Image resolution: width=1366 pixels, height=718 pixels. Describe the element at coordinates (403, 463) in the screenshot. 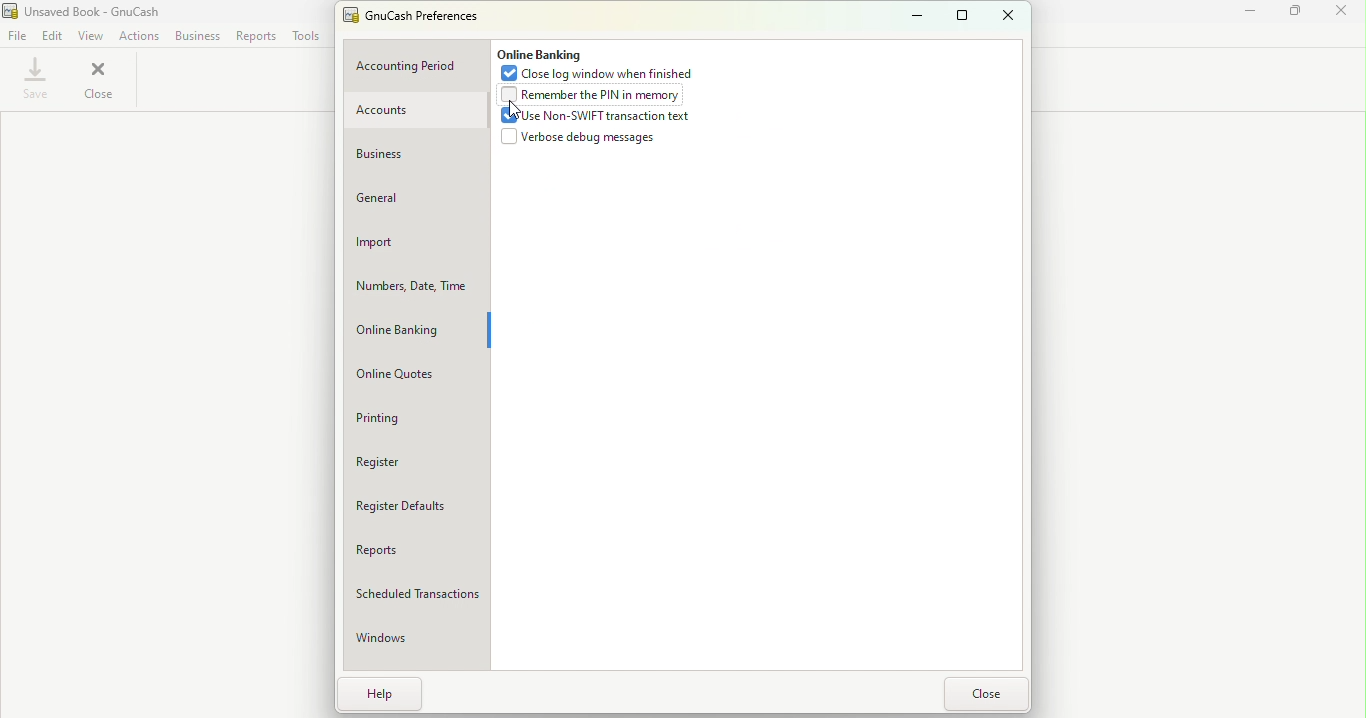

I see `Register` at that location.